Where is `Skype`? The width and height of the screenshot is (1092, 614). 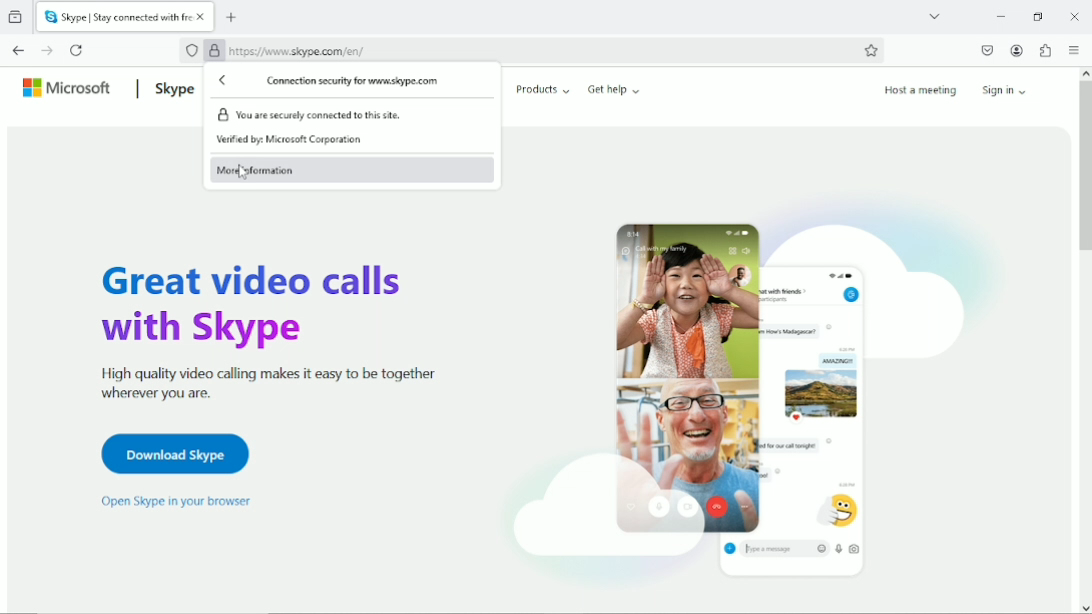
Skype is located at coordinates (172, 88).